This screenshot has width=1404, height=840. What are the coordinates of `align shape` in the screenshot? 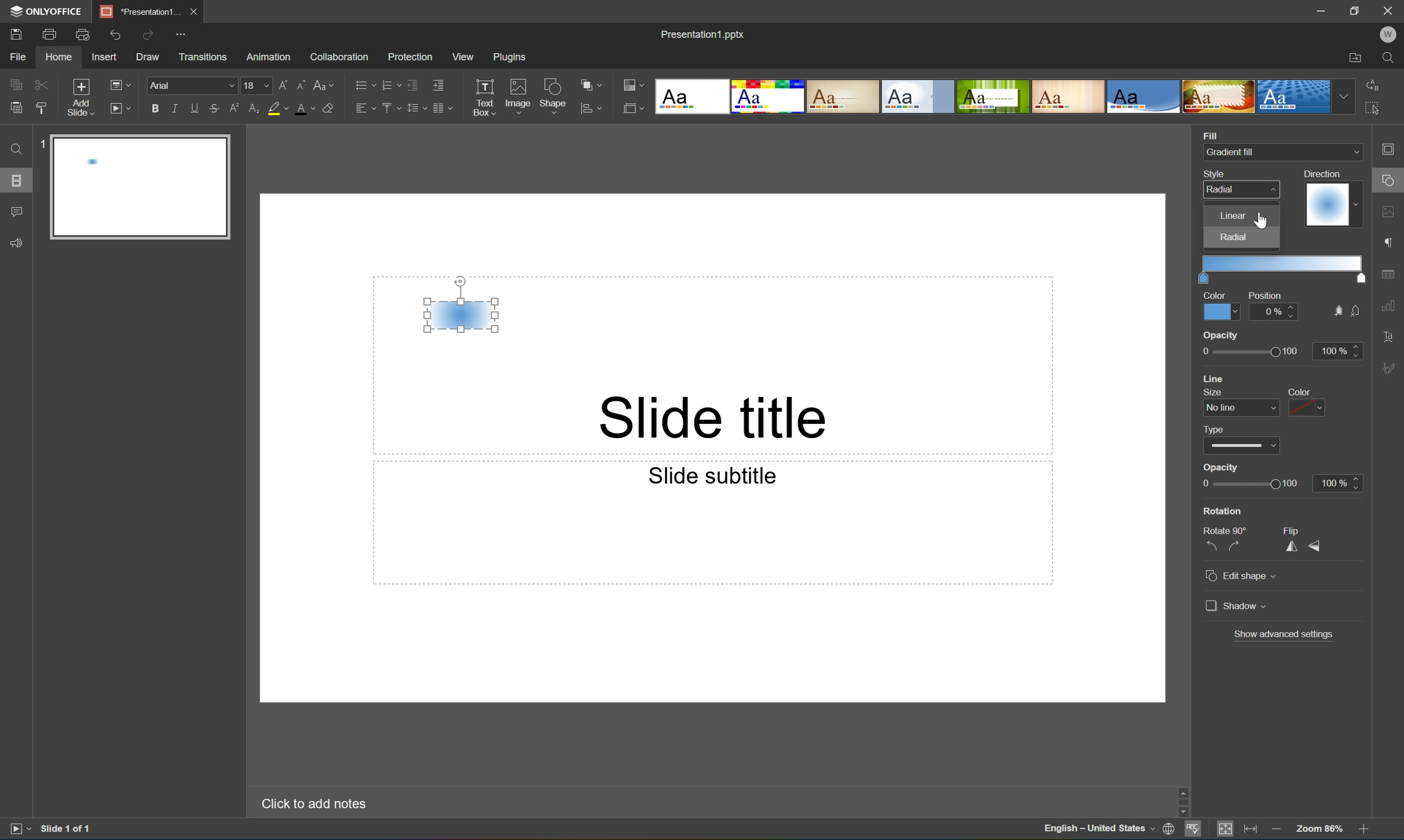 It's located at (593, 109).